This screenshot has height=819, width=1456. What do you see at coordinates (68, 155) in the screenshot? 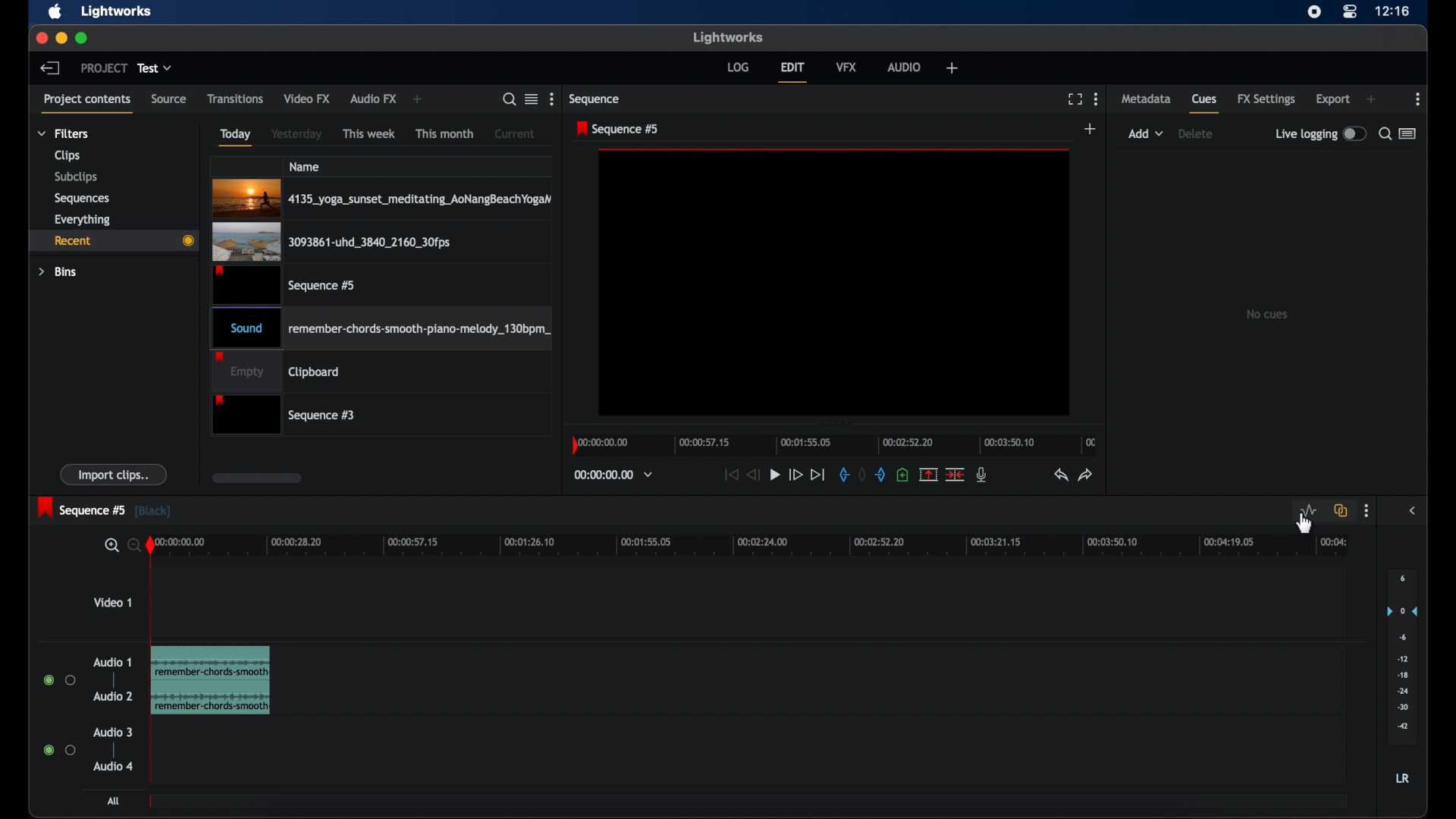
I see `clips` at bounding box center [68, 155].